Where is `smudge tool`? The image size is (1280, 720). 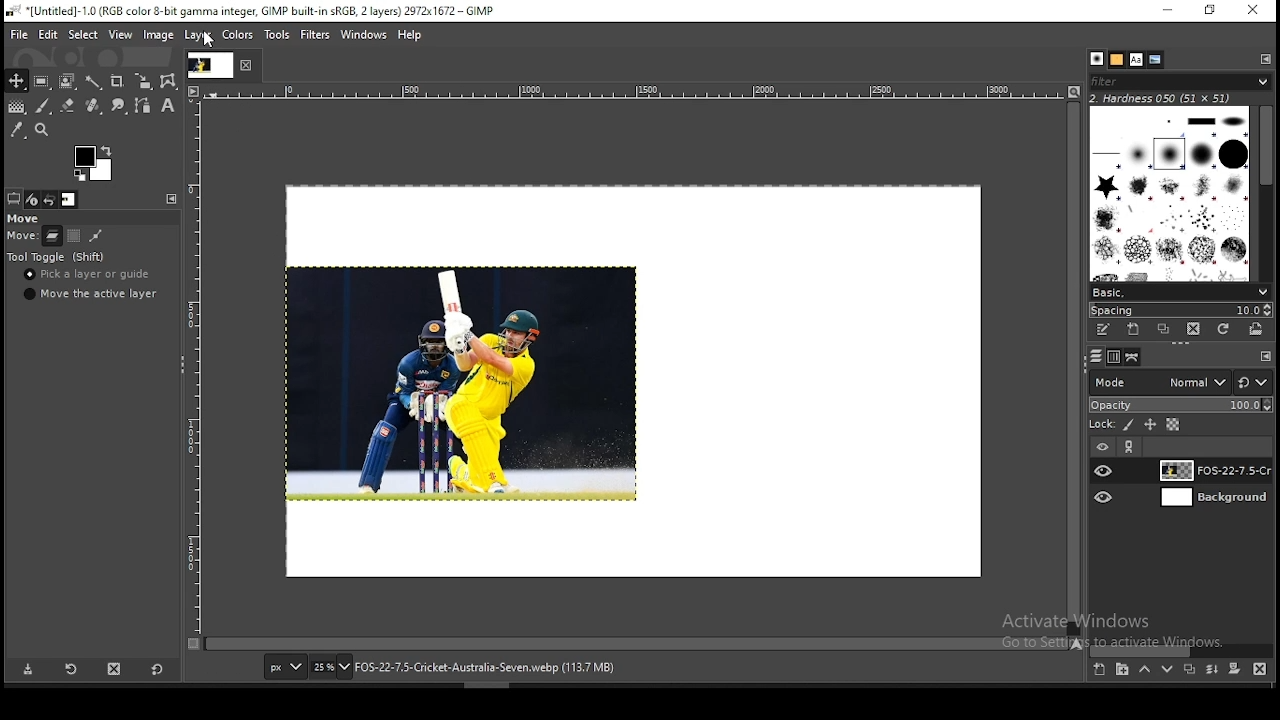
smudge tool is located at coordinates (116, 106).